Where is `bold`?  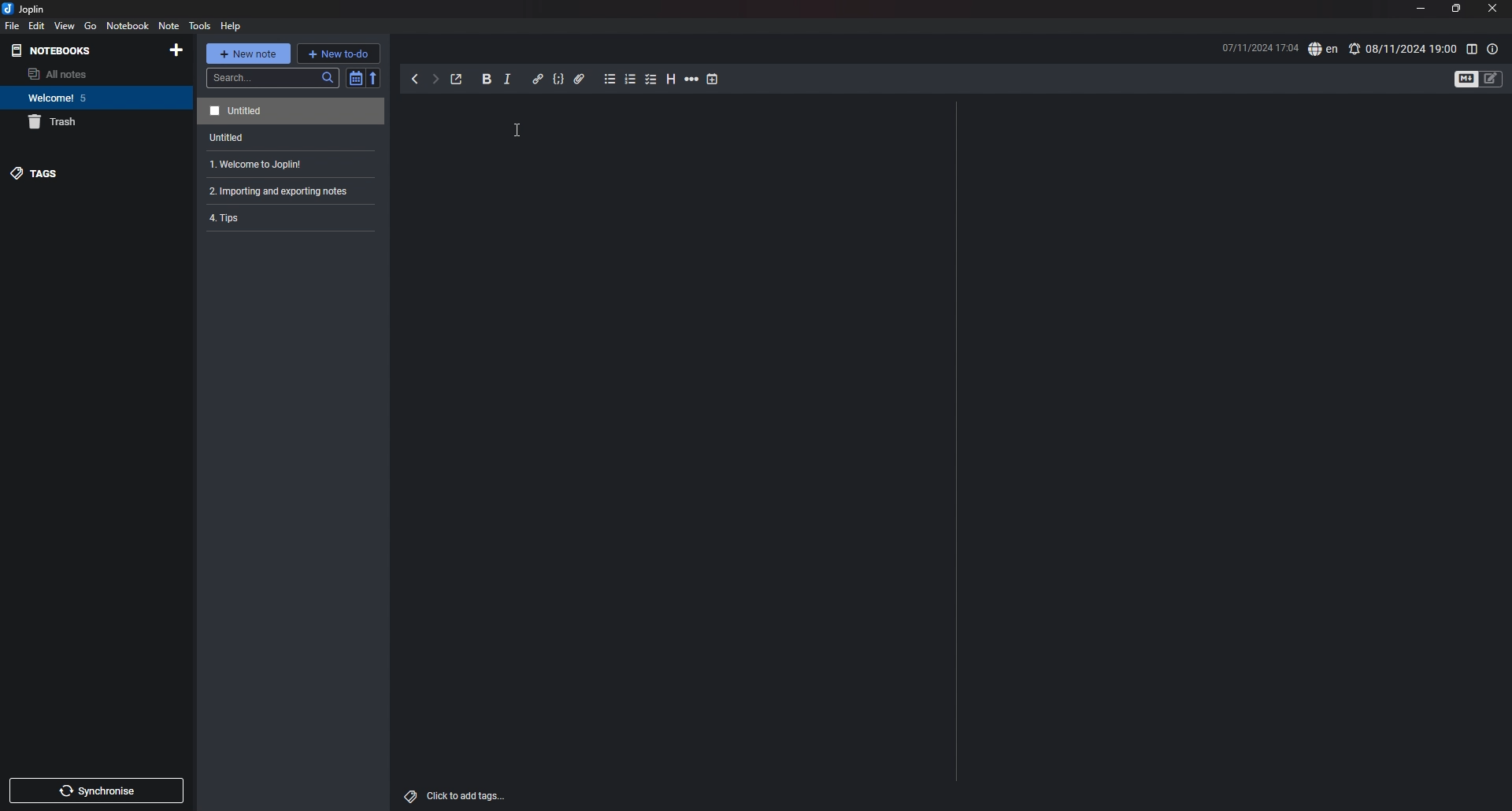 bold is located at coordinates (487, 79).